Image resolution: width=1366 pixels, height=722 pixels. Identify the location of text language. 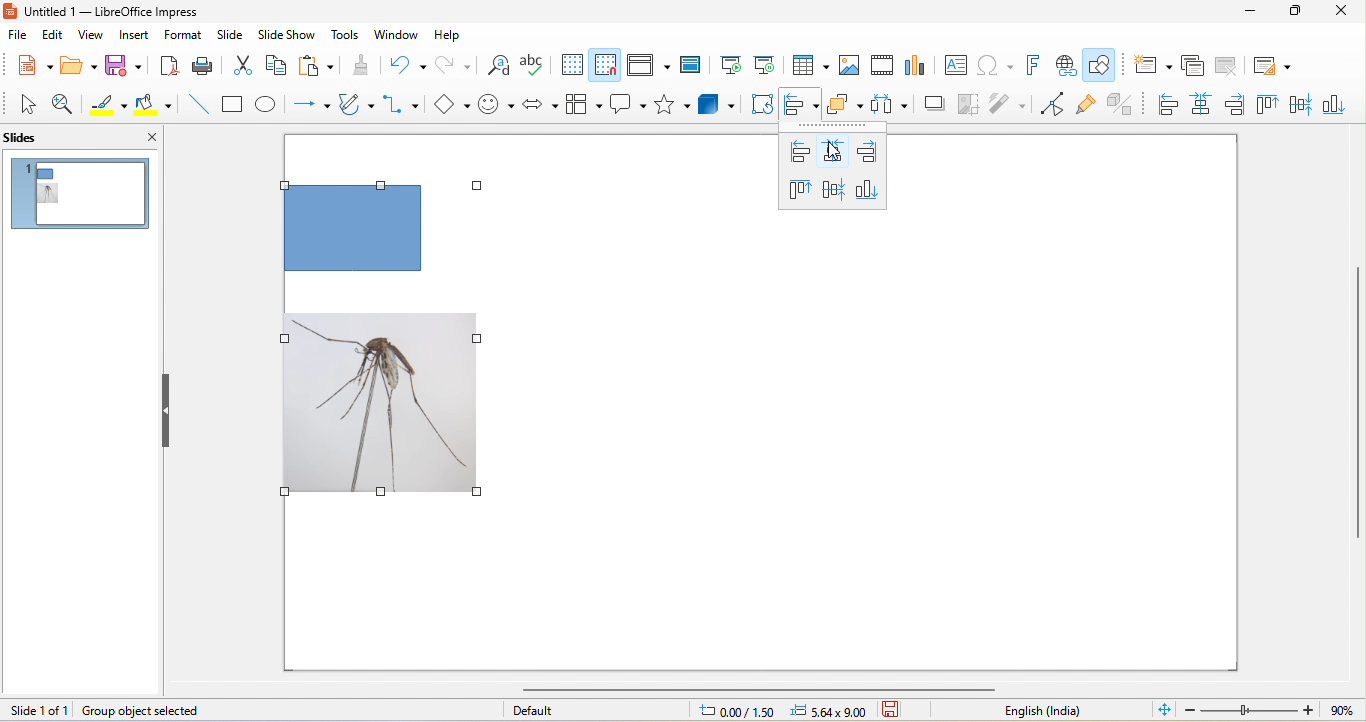
(1045, 711).